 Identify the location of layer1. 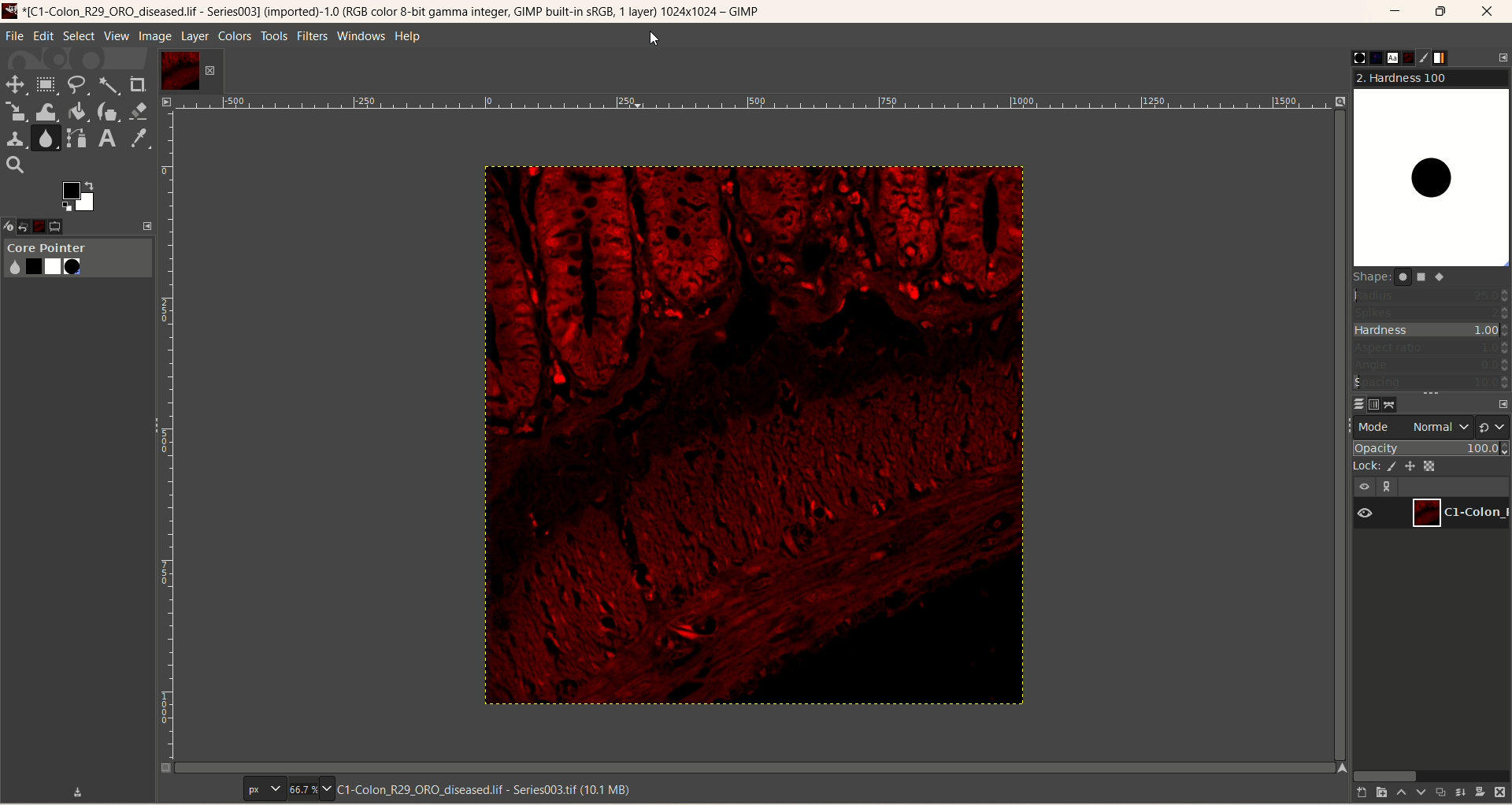
(1462, 511).